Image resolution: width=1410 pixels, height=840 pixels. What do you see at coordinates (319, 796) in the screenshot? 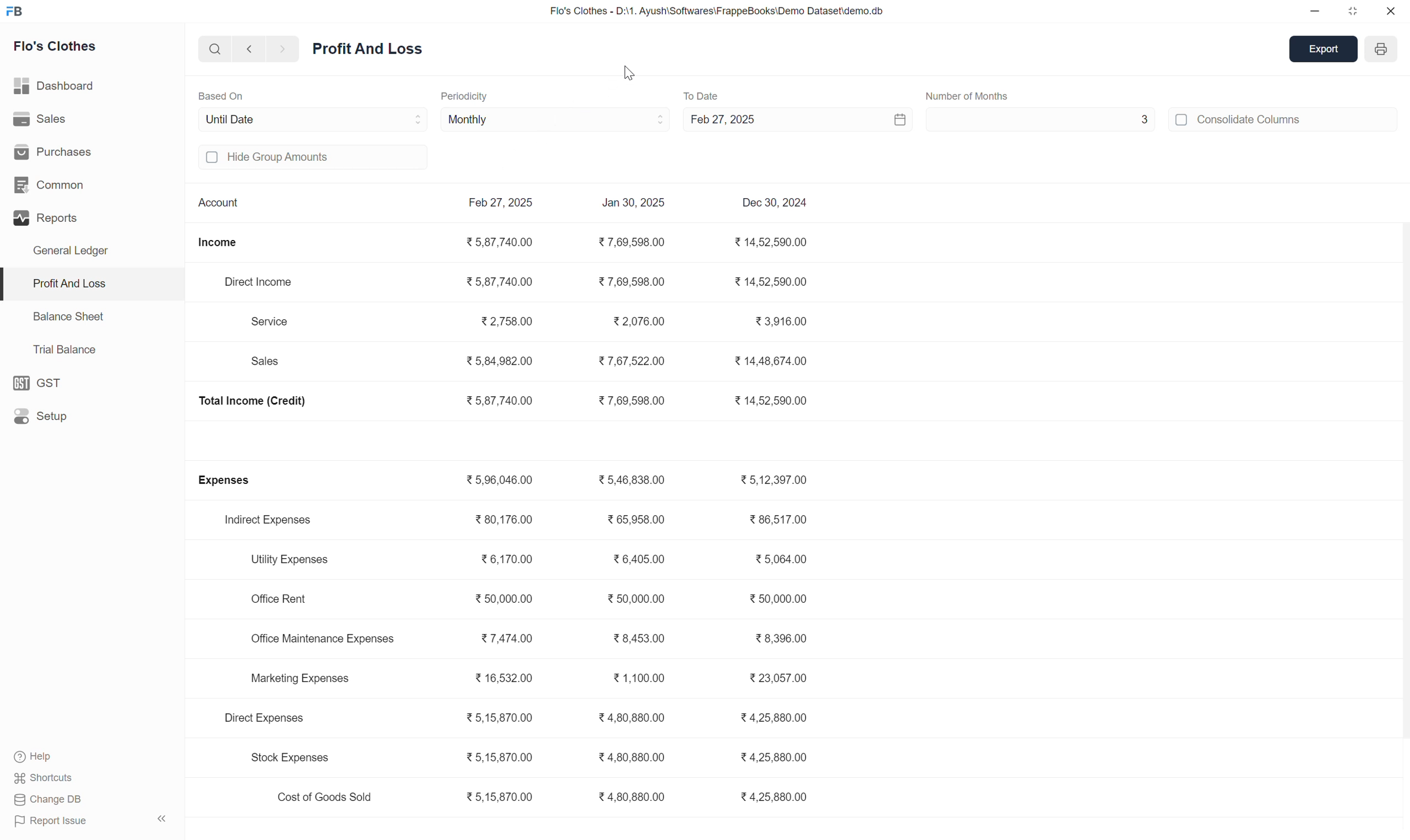
I see `Cost of Goods Sold` at bounding box center [319, 796].